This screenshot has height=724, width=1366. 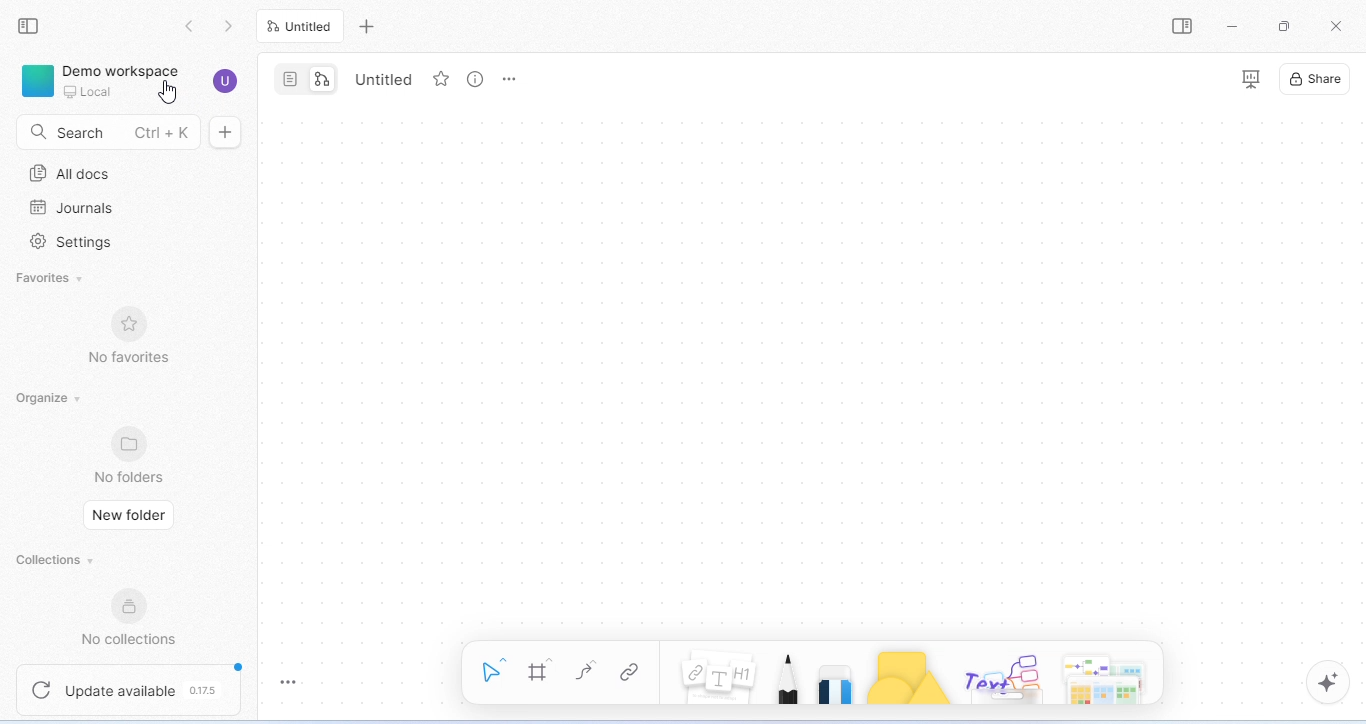 What do you see at coordinates (587, 671) in the screenshot?
I see `curve` at bounding box center [587, 671].